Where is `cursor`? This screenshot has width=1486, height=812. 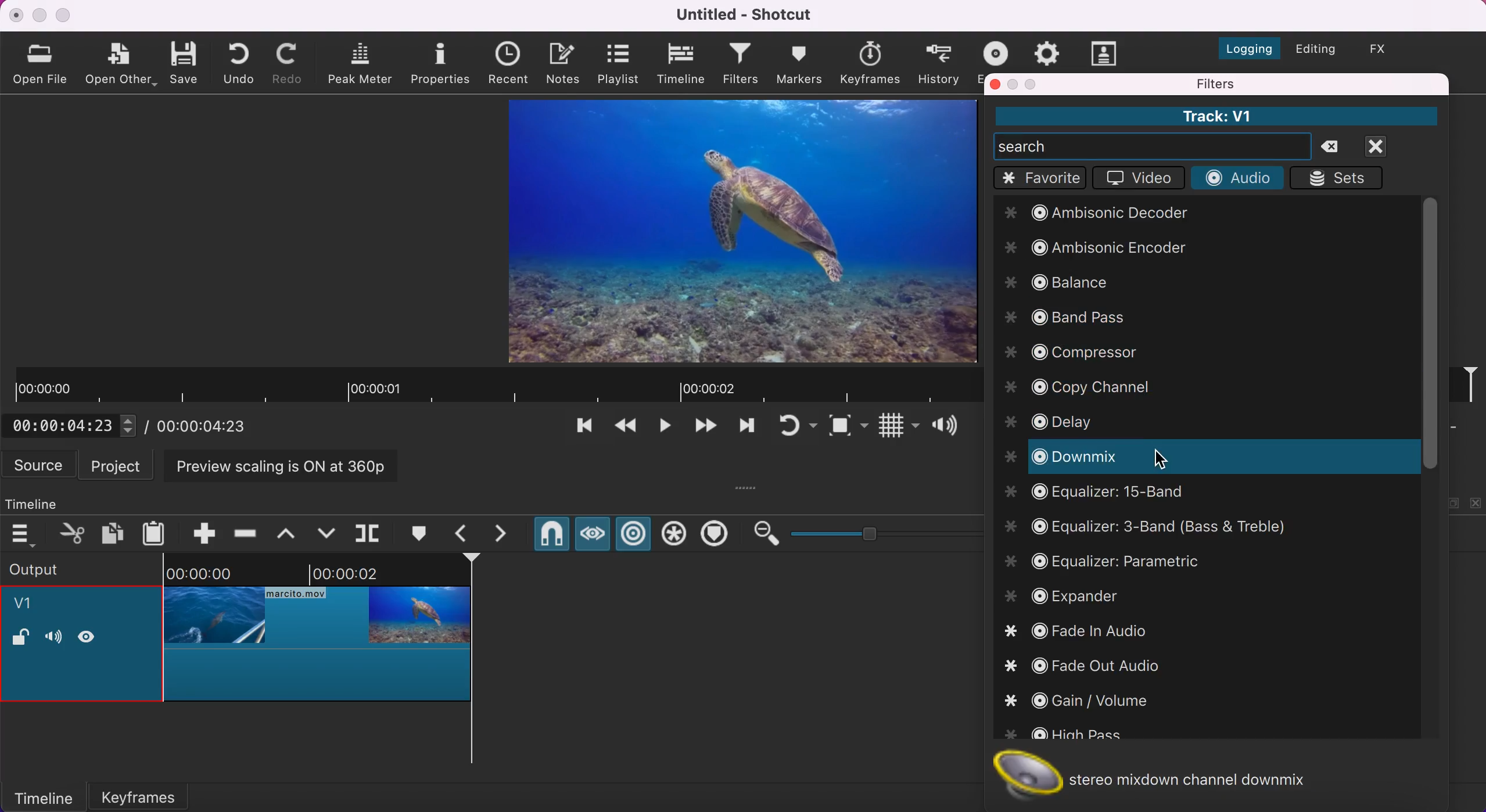 cursor is located at coordinates (1159, 460).